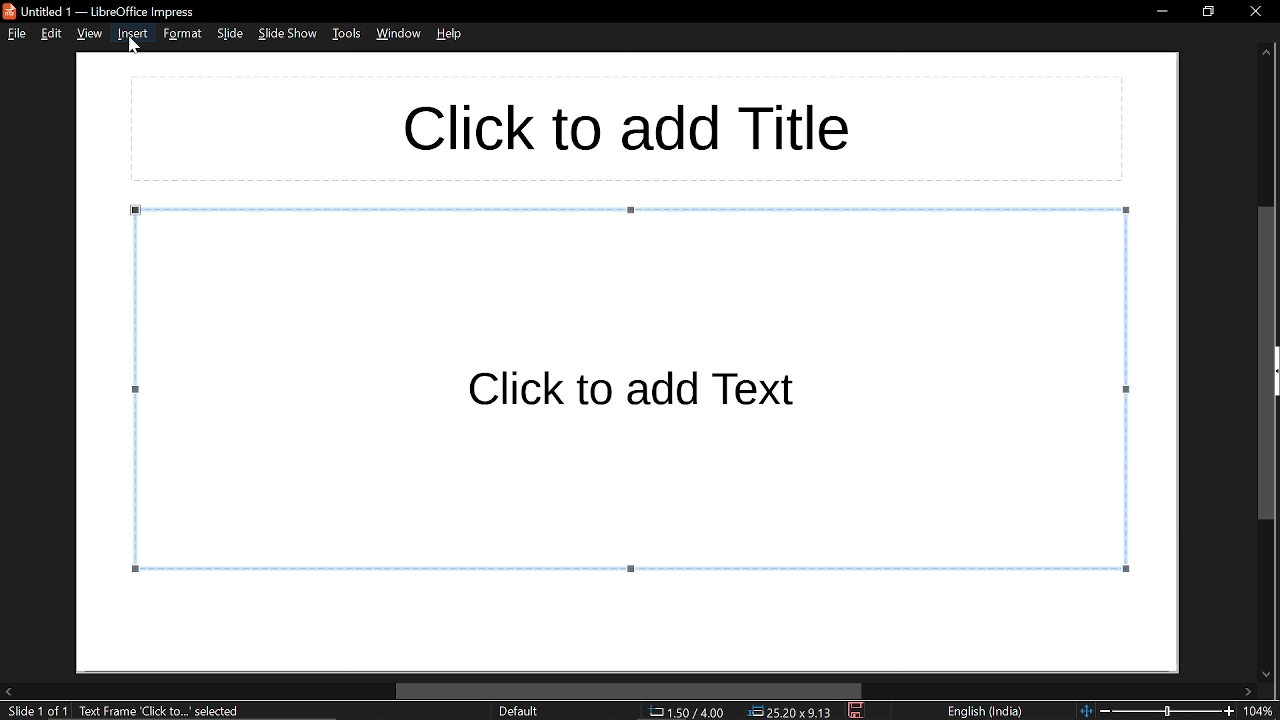 Image resolution: width=1280 pixels, height=720 pixels. What do you see at coordinates (52, 33) in the screenshot?
I see `edit` at bounding box center [52, 33].